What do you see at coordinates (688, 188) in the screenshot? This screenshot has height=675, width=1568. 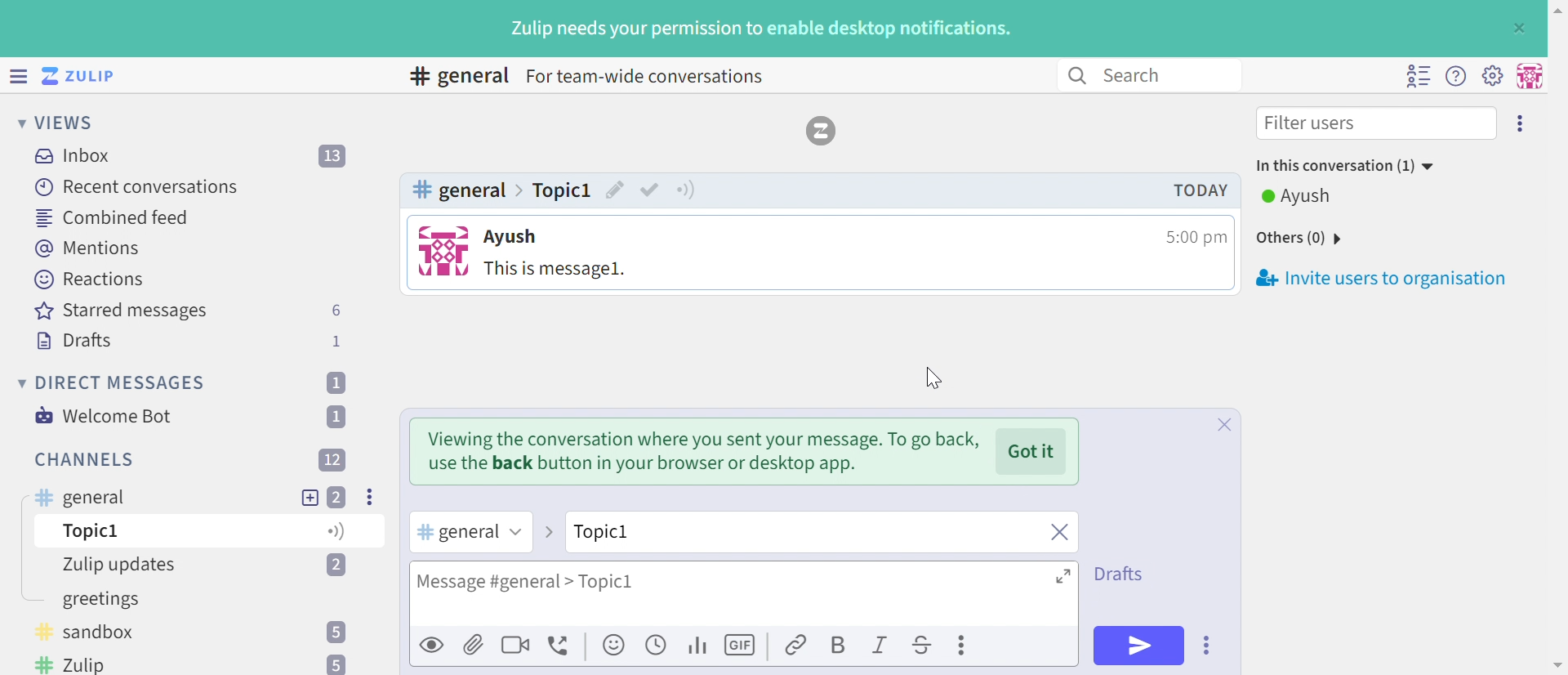 I see `Configure topic configuration` at bounding box center [688, 188].